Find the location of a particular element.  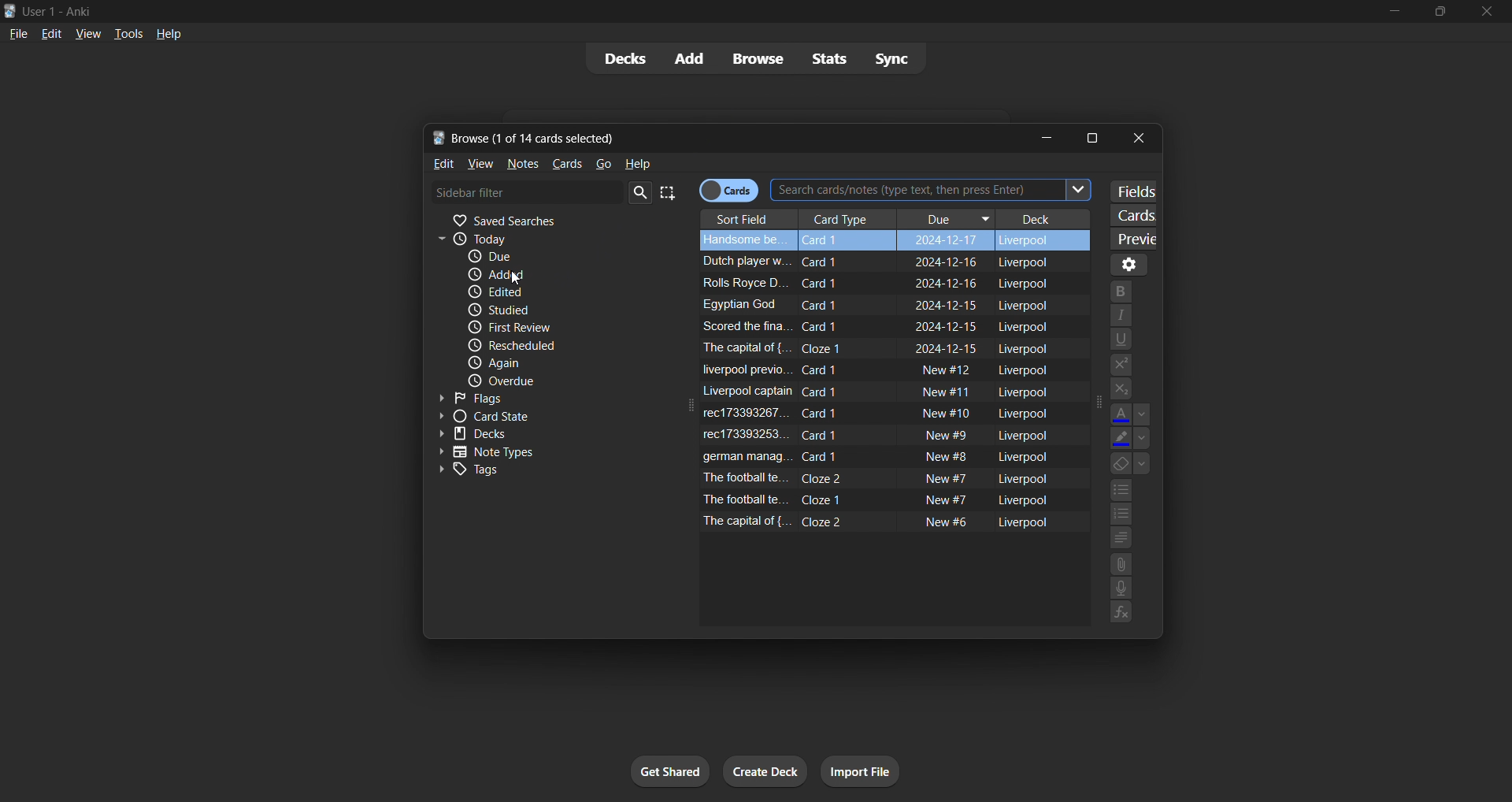

edit is located at coordinates (438, 165).